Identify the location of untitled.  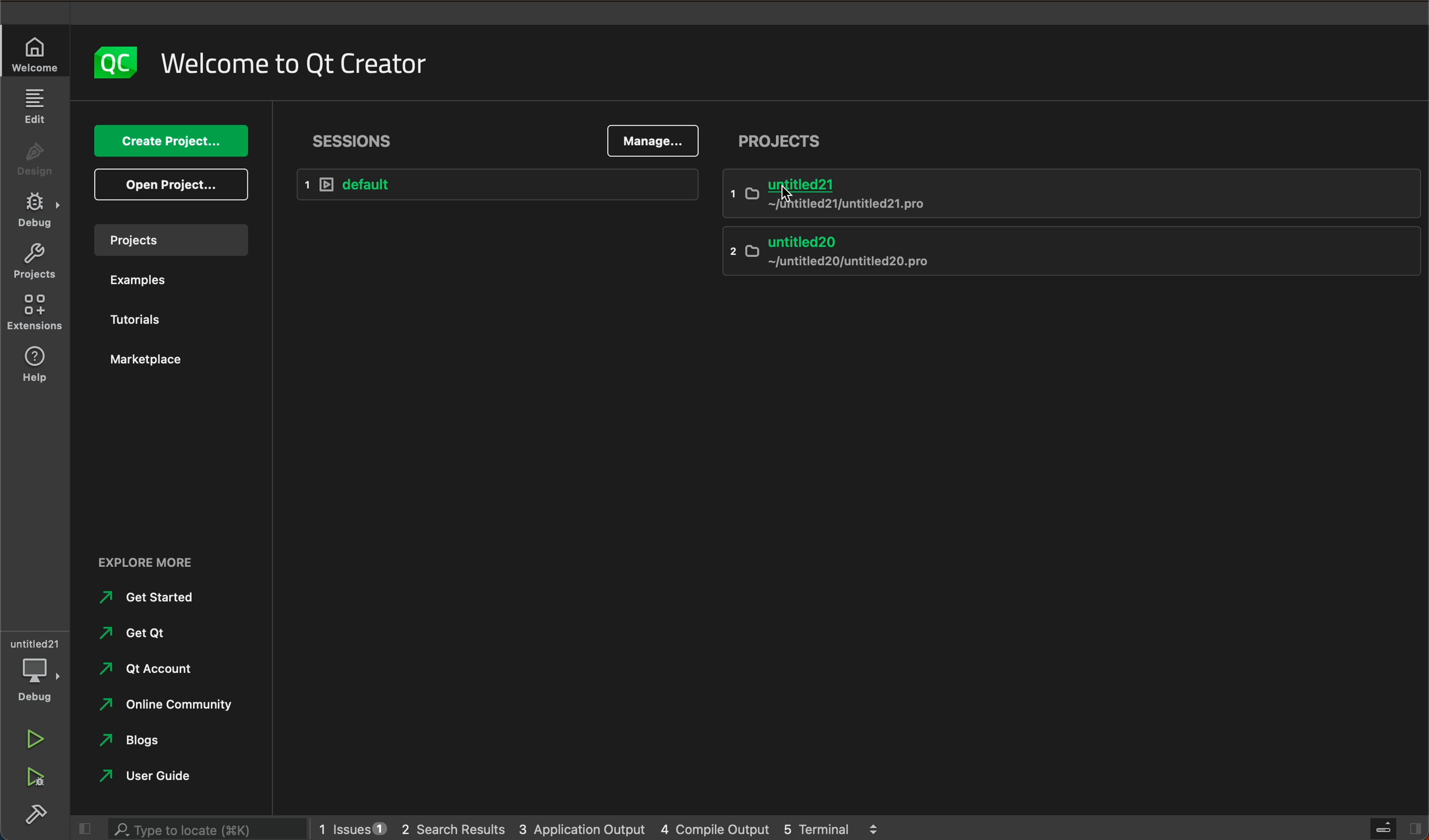
(37, 641).